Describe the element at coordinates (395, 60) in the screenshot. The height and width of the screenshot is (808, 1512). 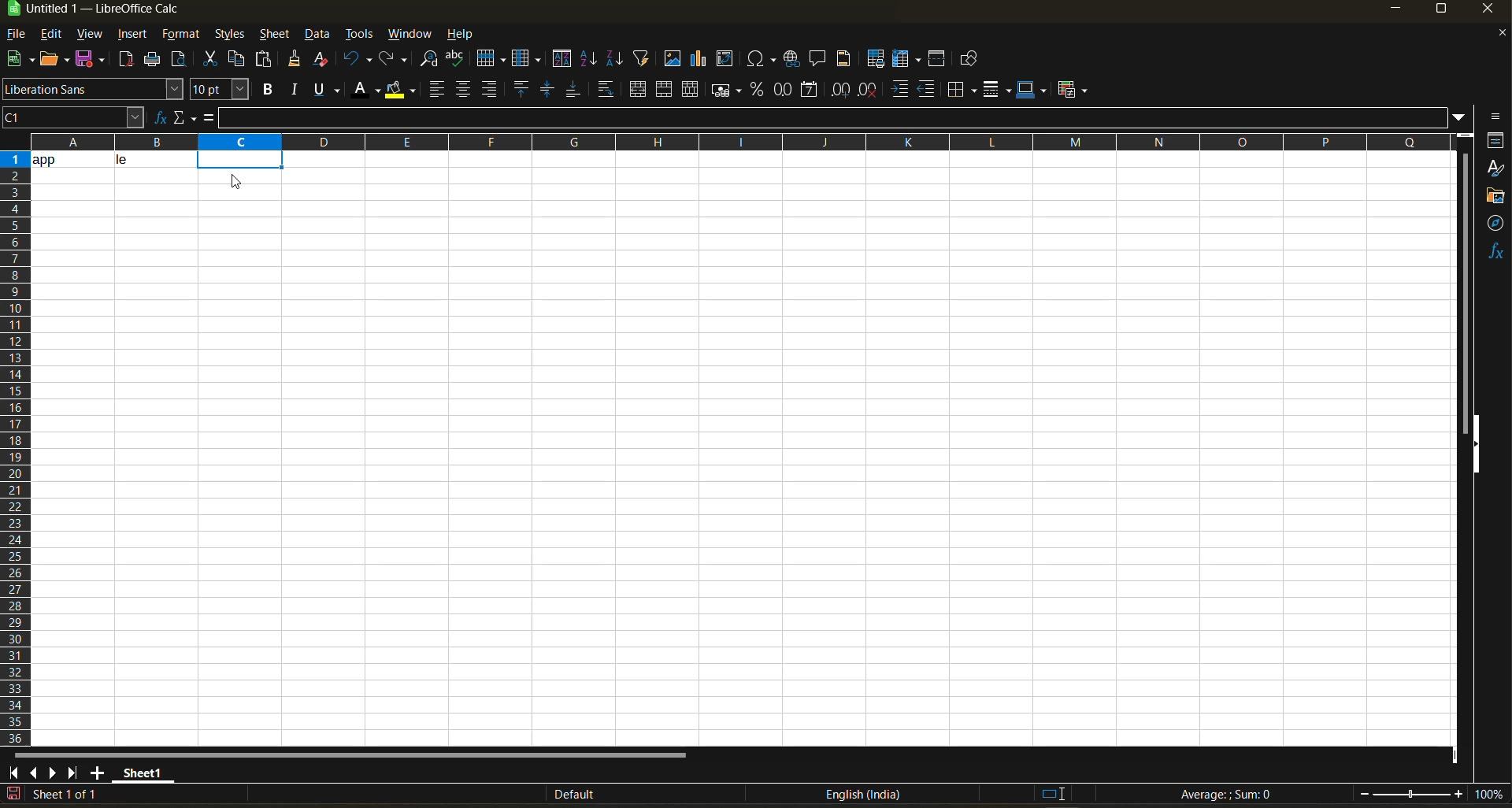
I see `redo ` at that location.